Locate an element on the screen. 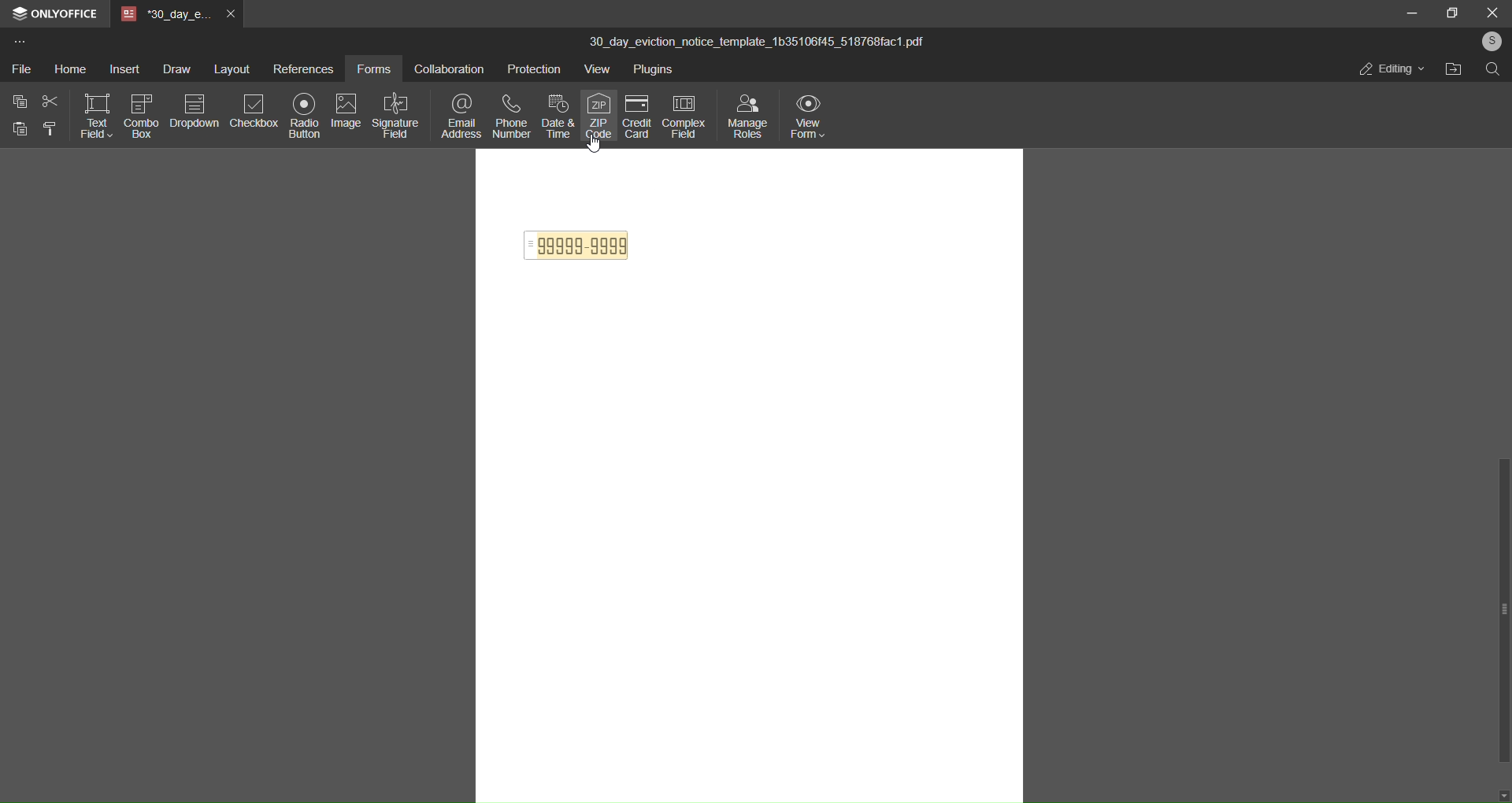 This screenshot has width=1512, height=803. maximize is located at coordinates (1452, 13).